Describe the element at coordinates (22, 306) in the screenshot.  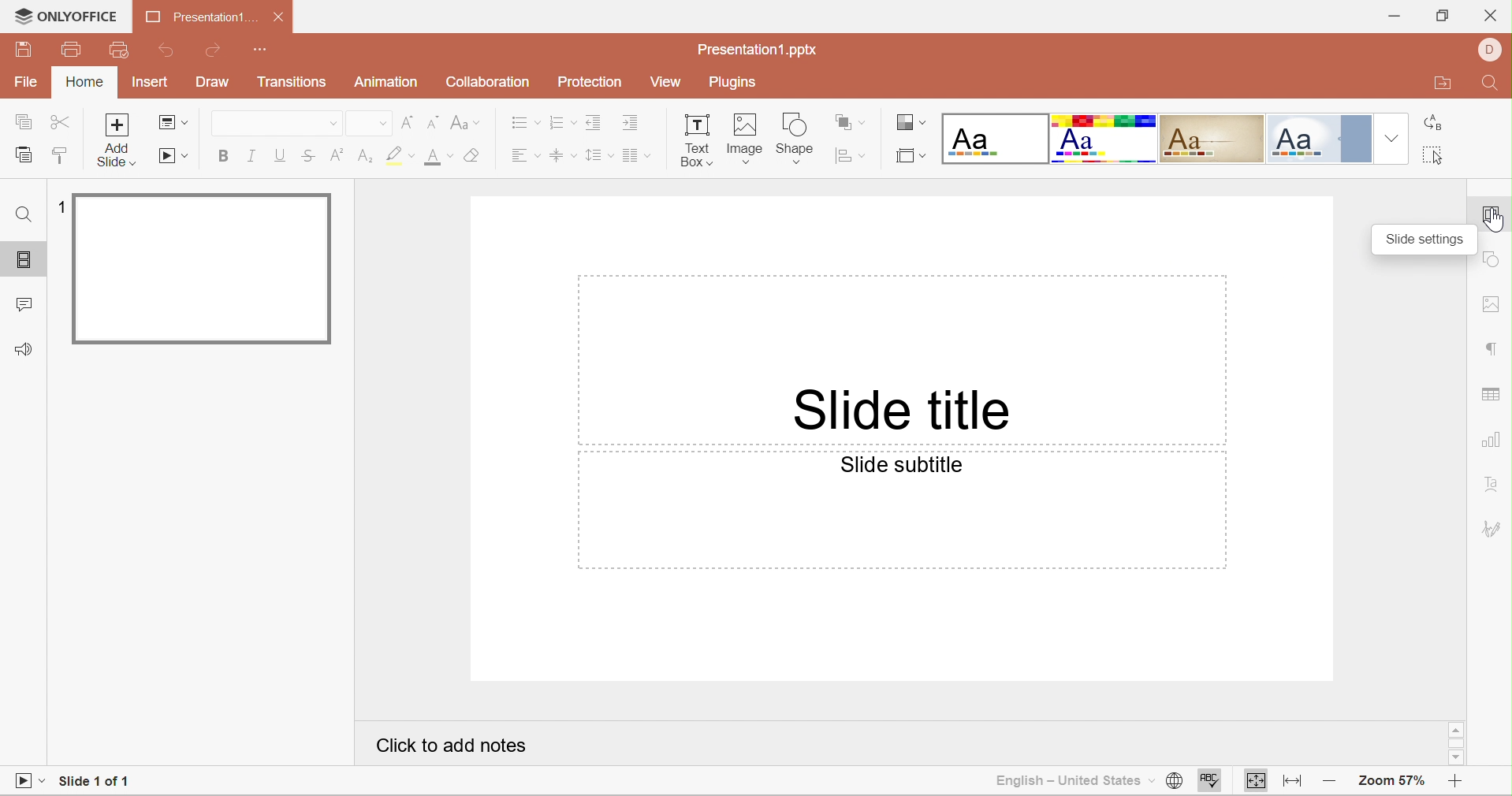
I see `Comments` at that location.